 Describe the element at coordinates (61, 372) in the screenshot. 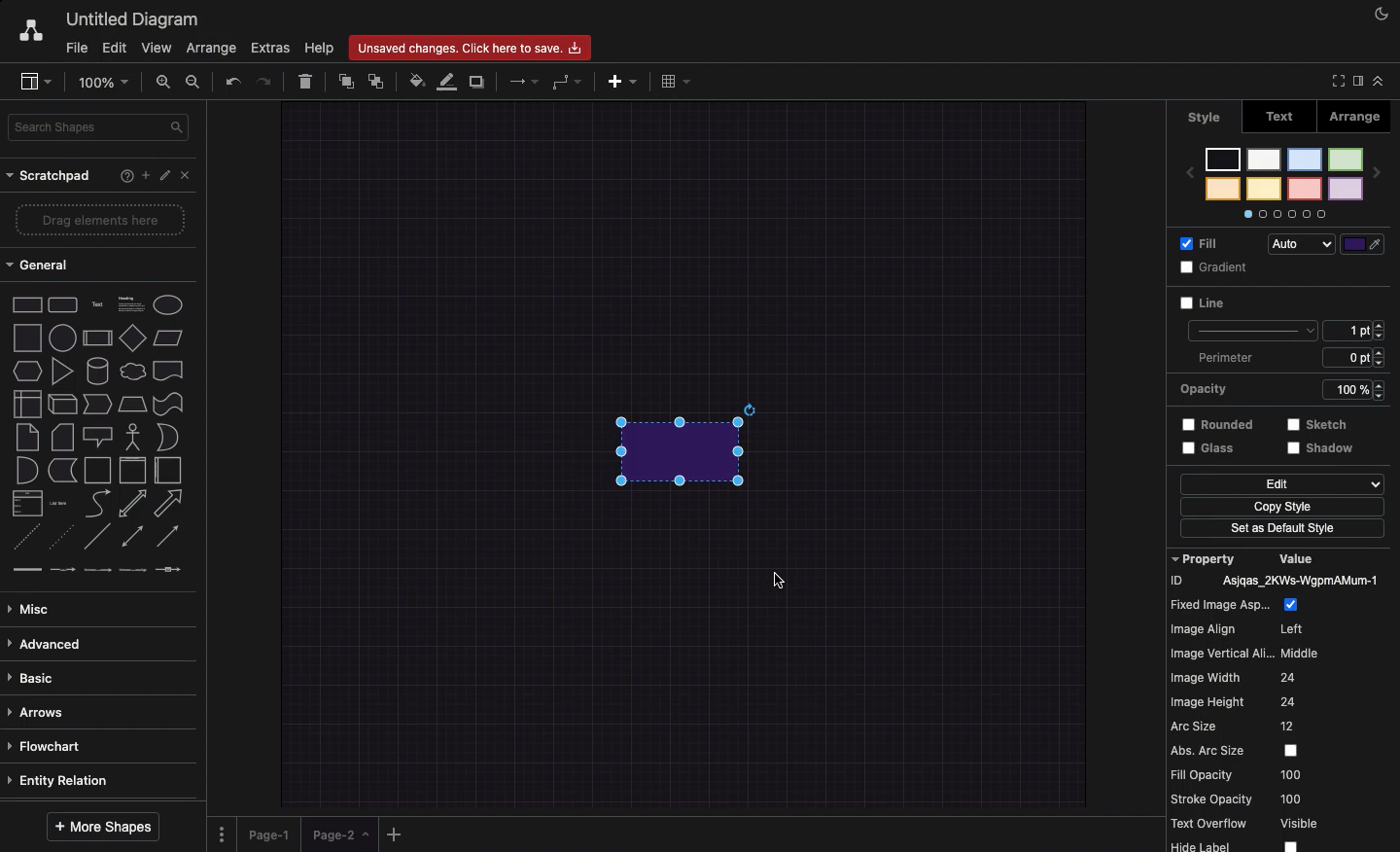

I see `triangle` at that location.